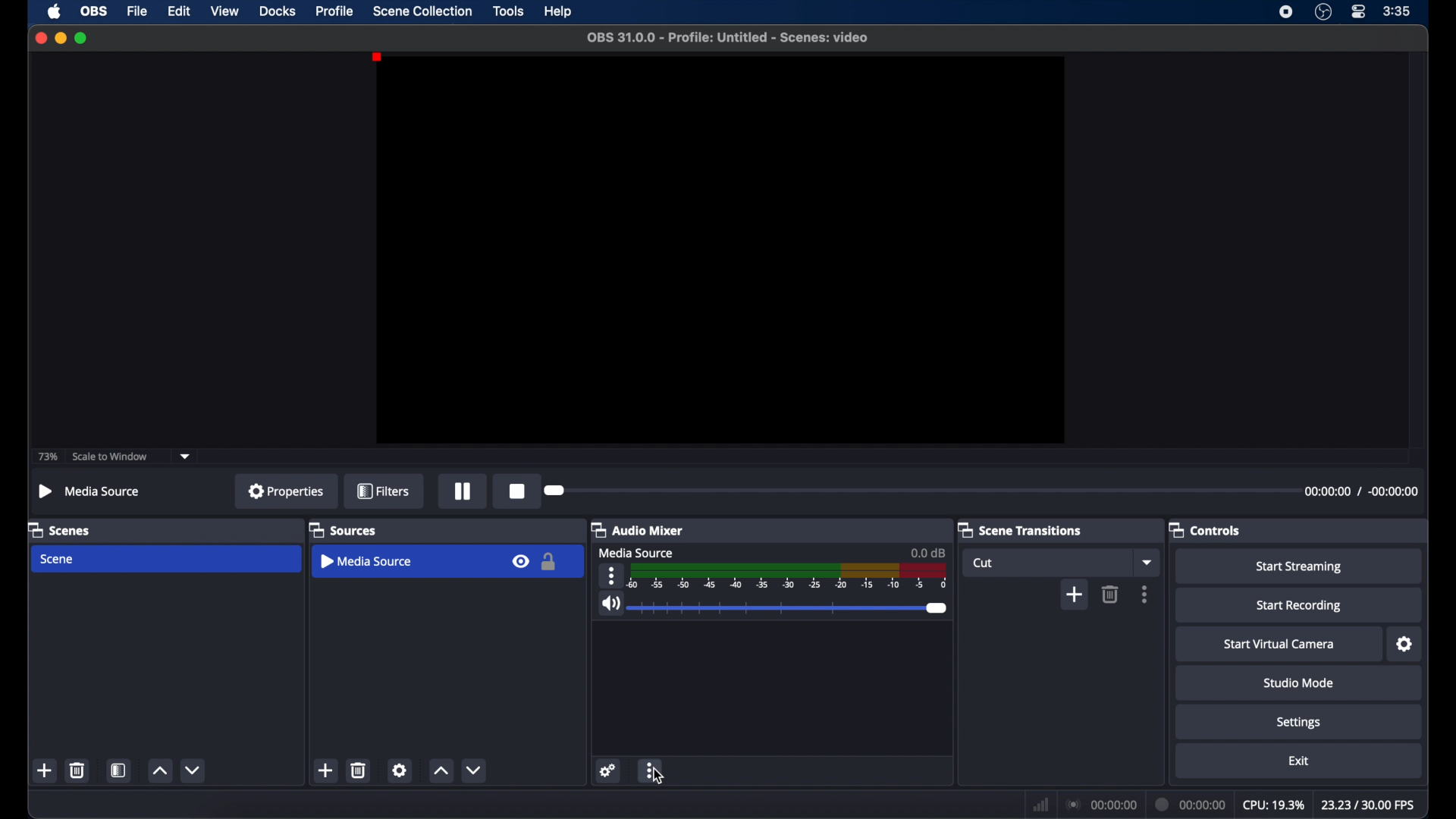 This screenshot has width=1456, height=819. I want to click on media source, so click(636, 553).